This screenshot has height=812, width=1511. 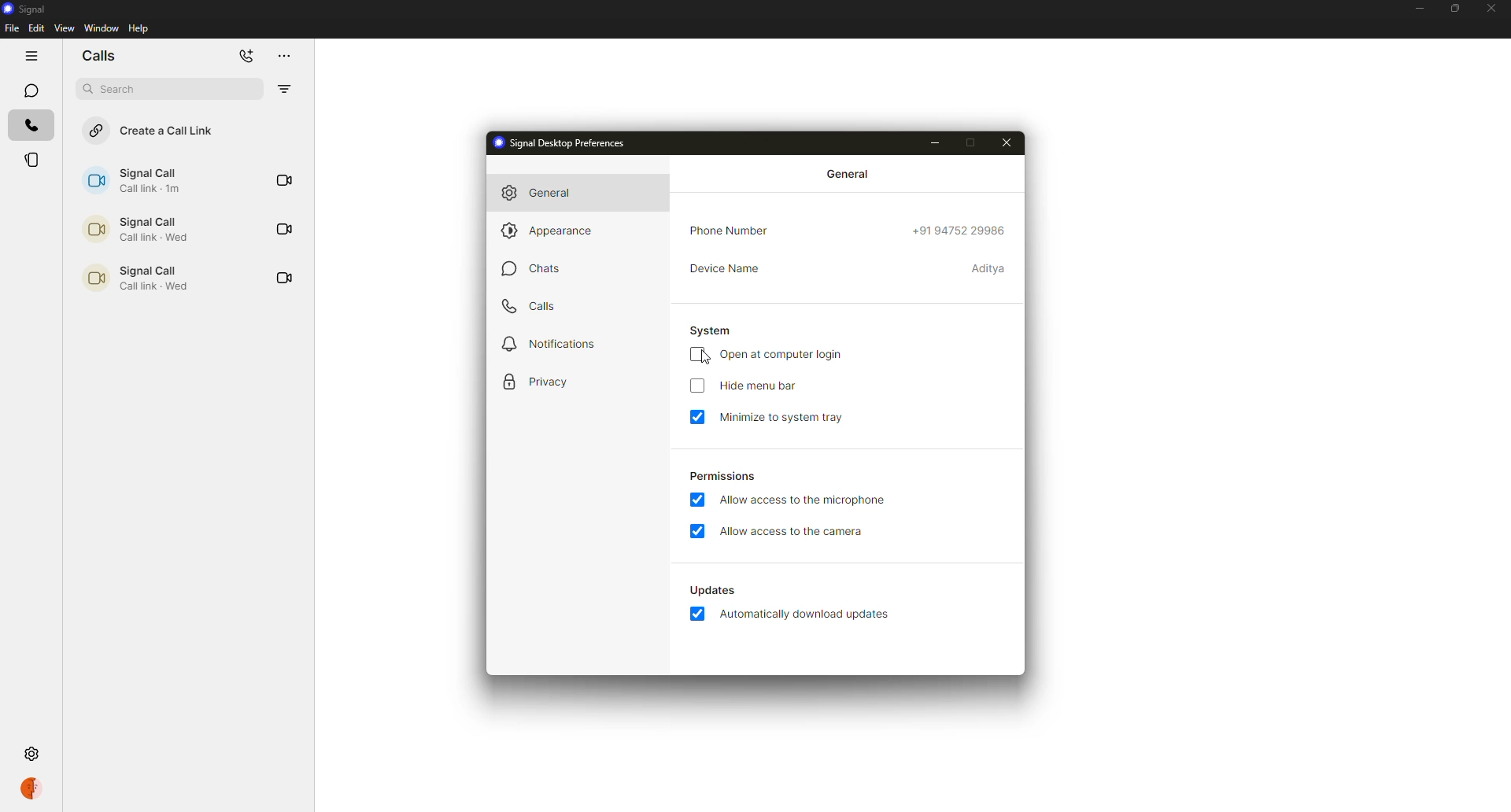 I want to click on click to enable, so click(x=695, y=387).